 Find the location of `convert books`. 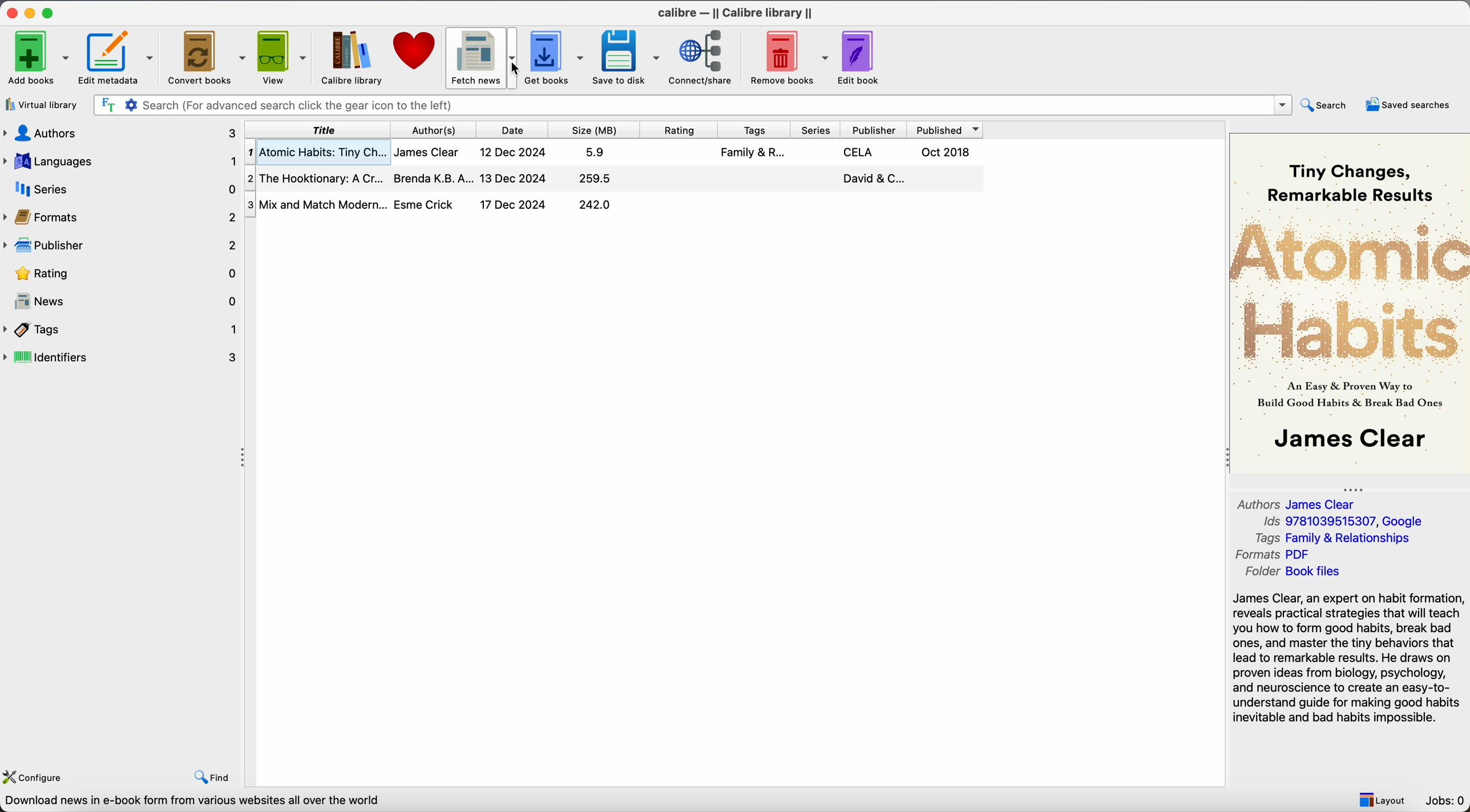

convert books is located at coordinates (205, 56).